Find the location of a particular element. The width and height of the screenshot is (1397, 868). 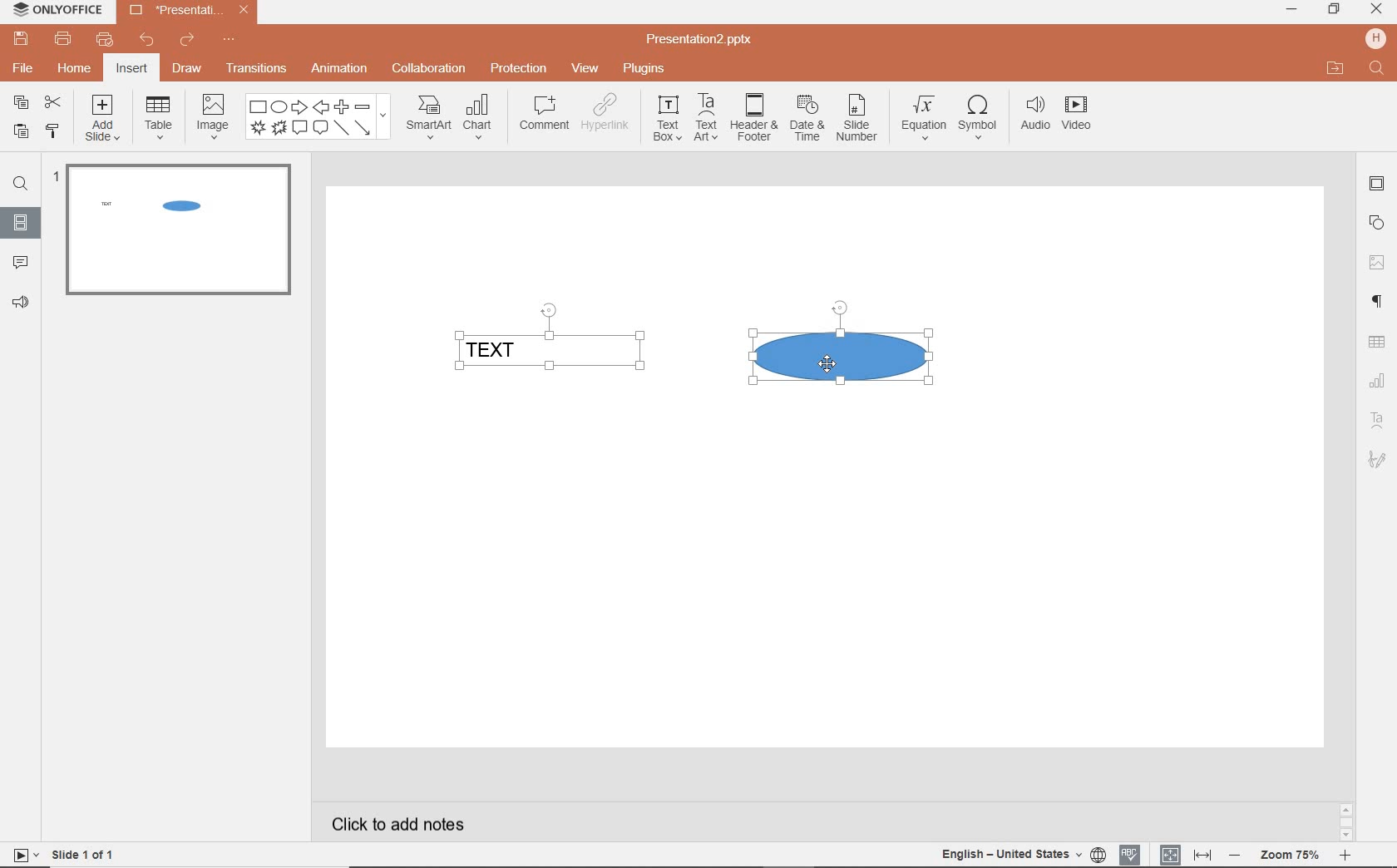

save is located at coordinates (18, 38).